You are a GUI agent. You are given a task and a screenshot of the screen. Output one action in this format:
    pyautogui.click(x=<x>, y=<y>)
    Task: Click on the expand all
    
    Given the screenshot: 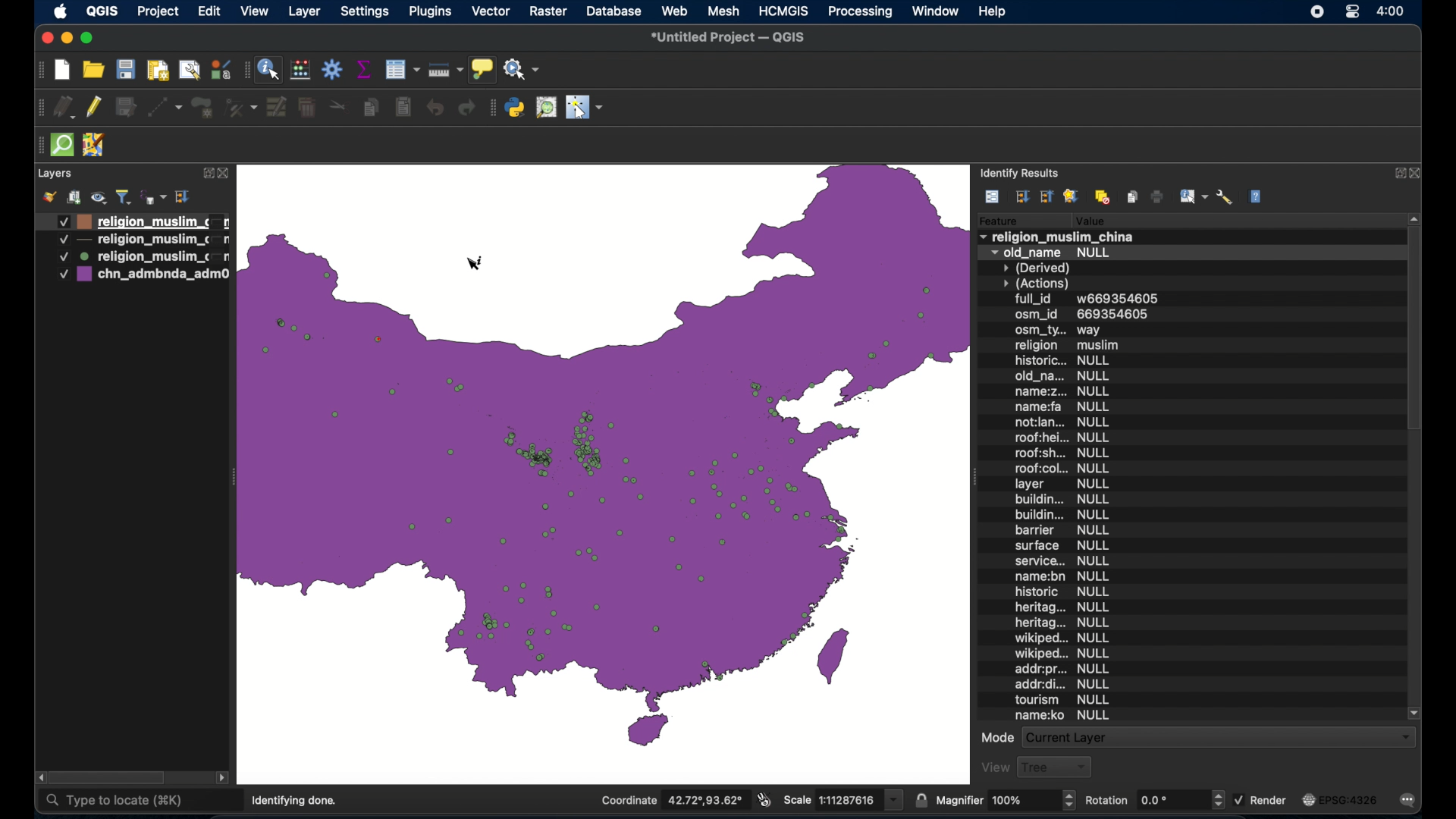 What is the action you would take?
    pyautogui.click(x=184, y=197)
    